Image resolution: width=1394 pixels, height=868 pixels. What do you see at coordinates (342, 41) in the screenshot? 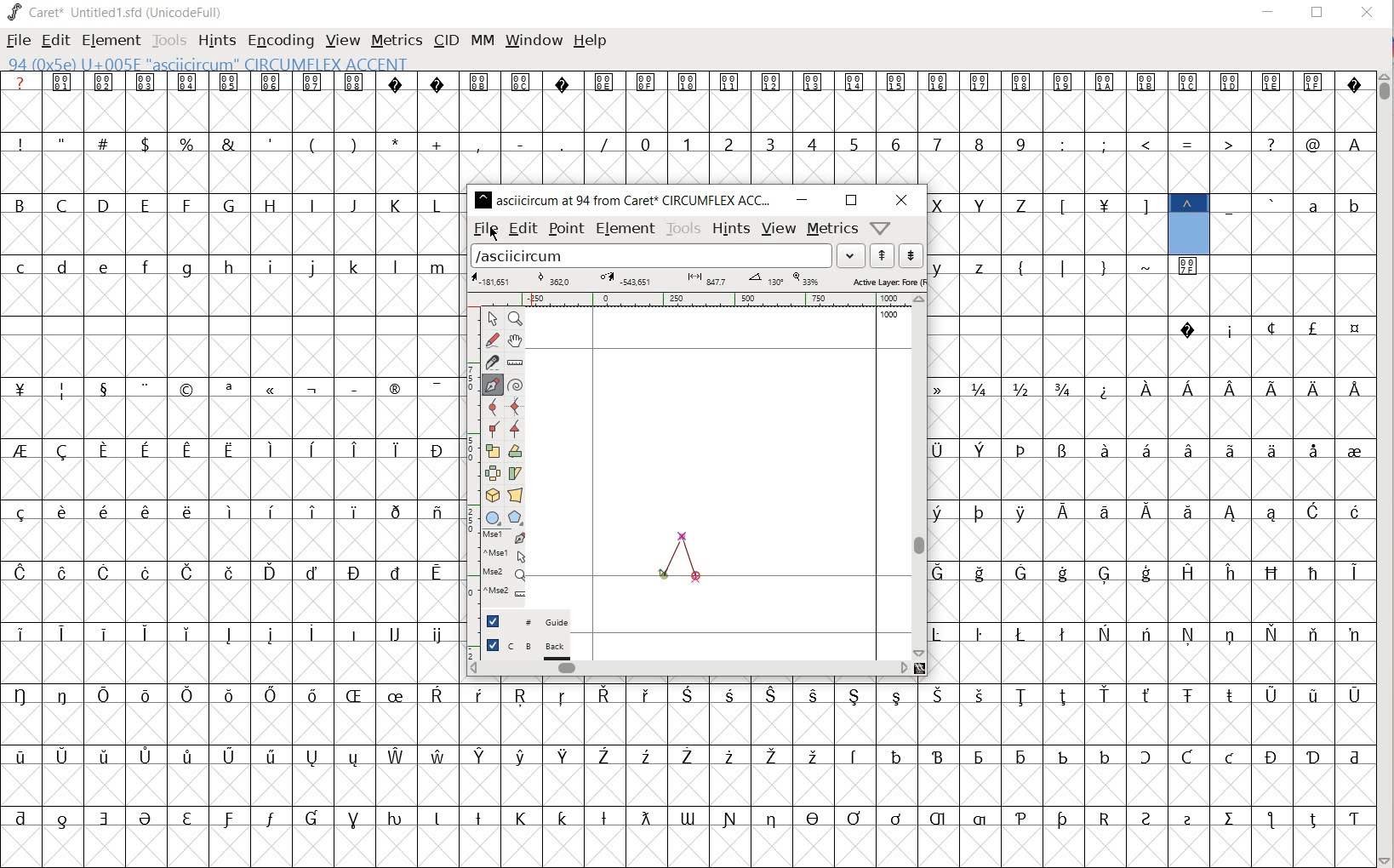
I see `VIEW` at bounding box center [342, 41].